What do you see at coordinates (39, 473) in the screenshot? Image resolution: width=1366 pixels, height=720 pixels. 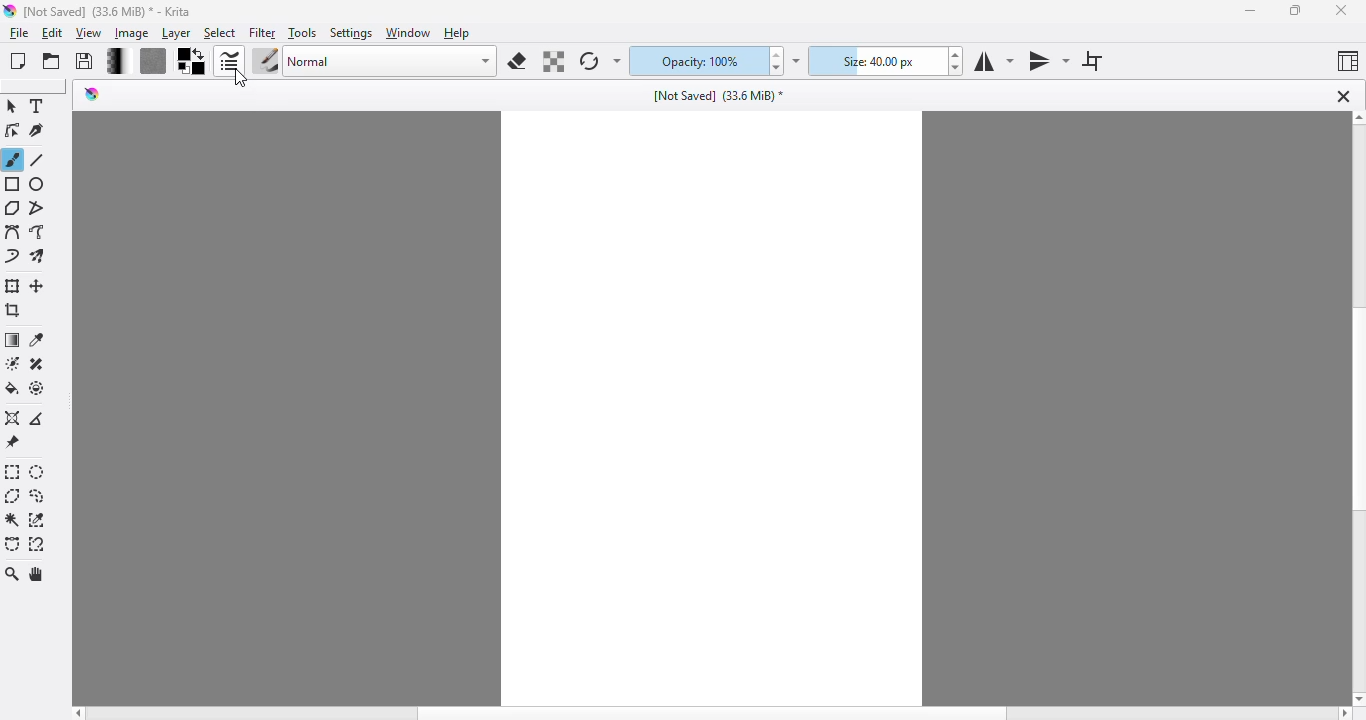 I see `elliptical selection tool` at bounding box center [39, 473].